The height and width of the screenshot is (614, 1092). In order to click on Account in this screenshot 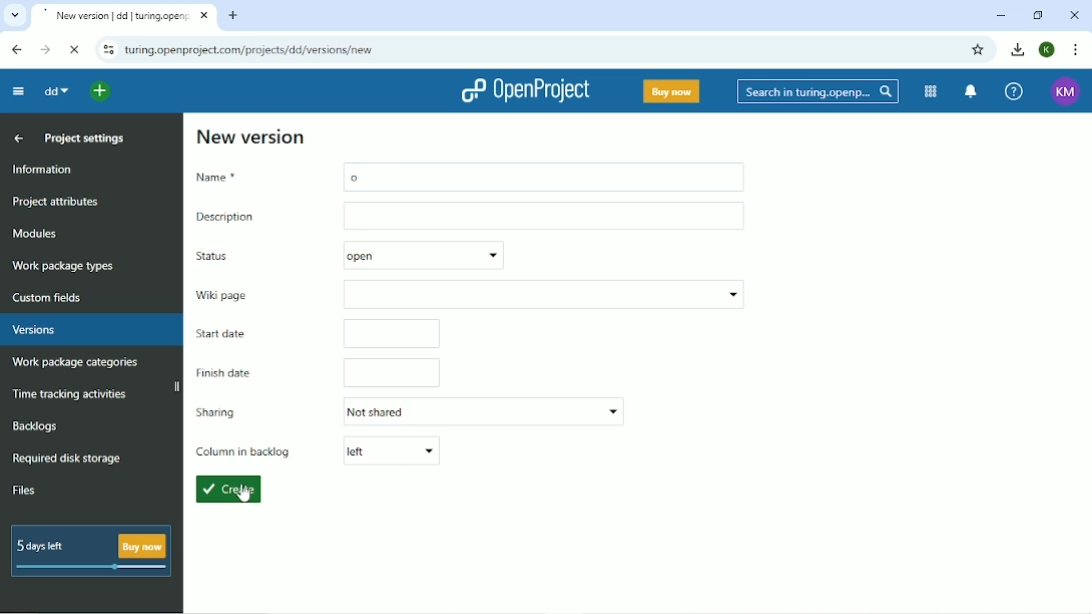, I will do `click(1066, 92)`.